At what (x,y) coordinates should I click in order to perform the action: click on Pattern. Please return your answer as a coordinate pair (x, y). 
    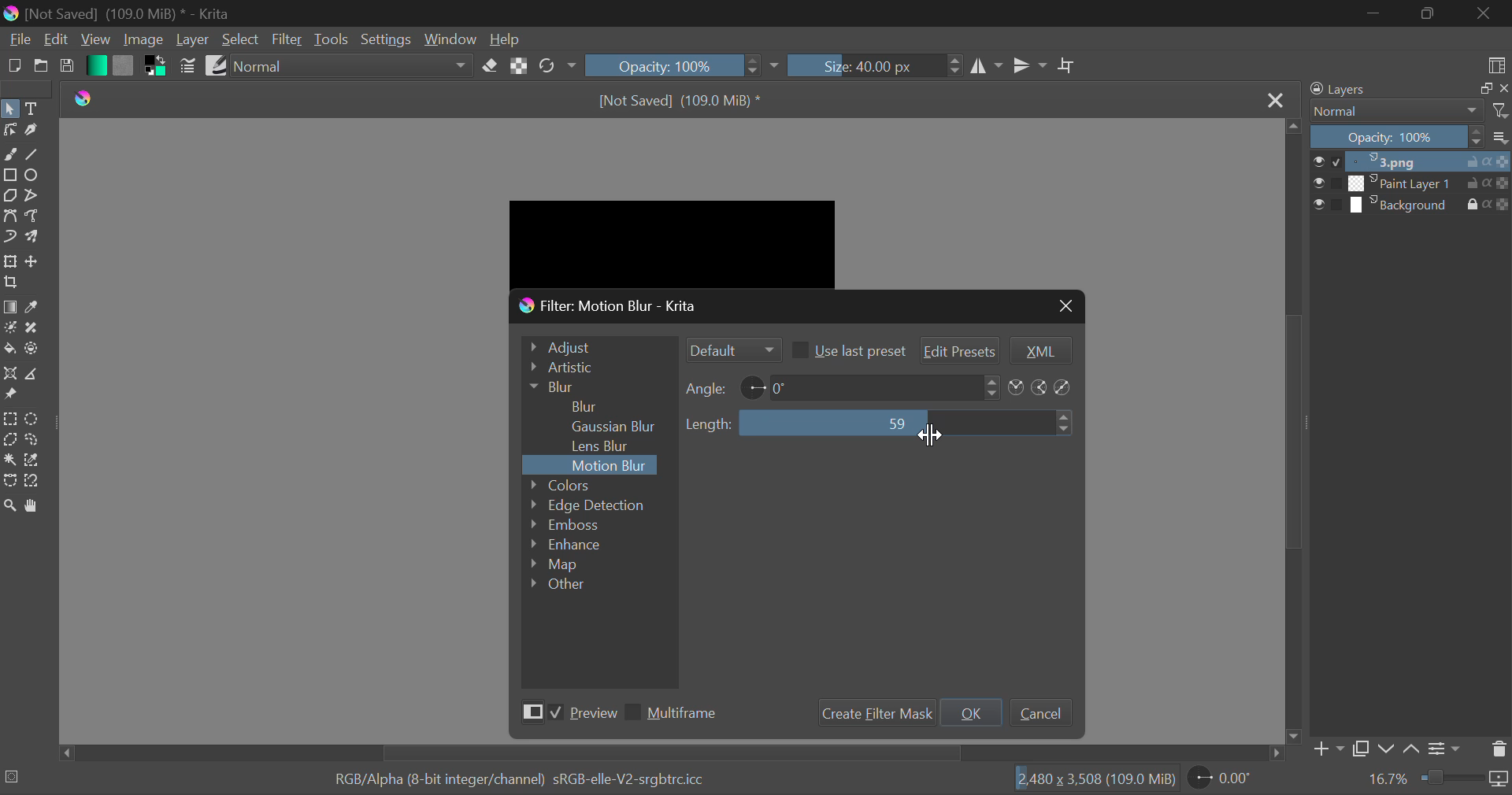
    Looking at the image, I should click on (123, 66).